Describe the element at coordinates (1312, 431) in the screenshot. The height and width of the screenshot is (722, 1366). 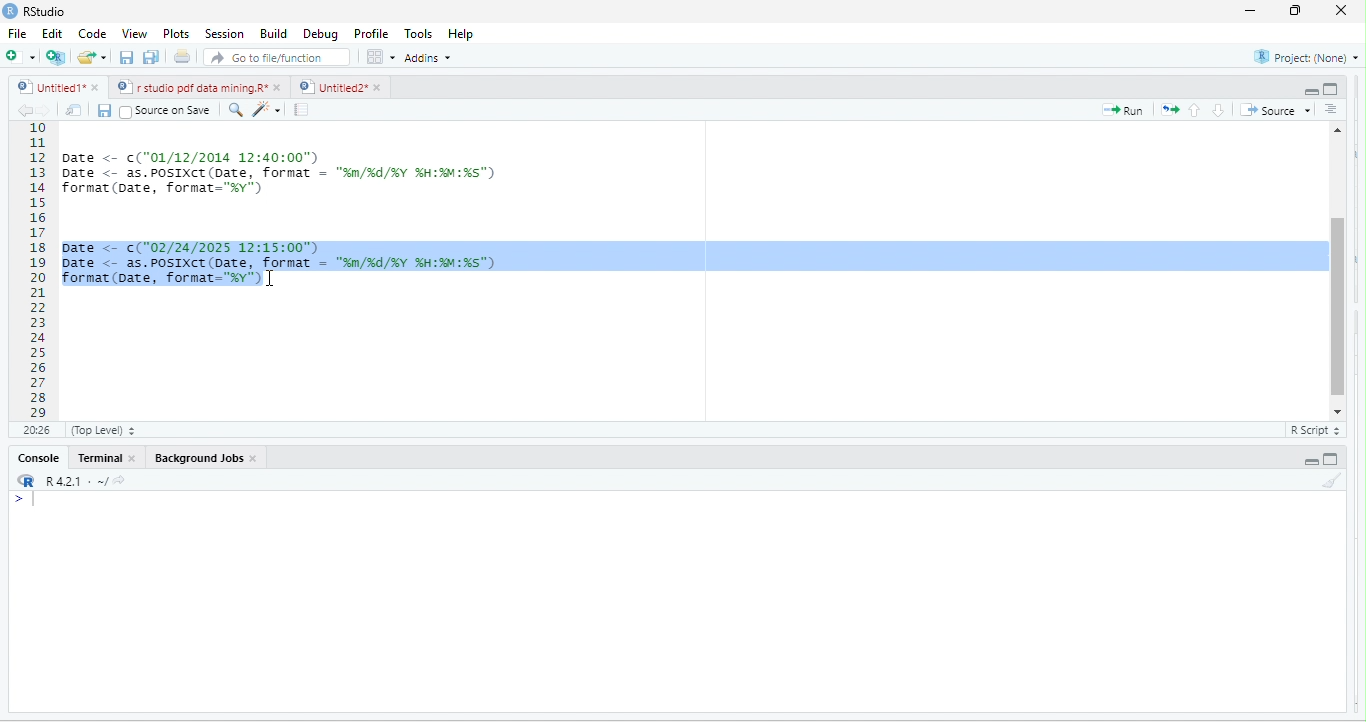
I see `R Script &` at that location.